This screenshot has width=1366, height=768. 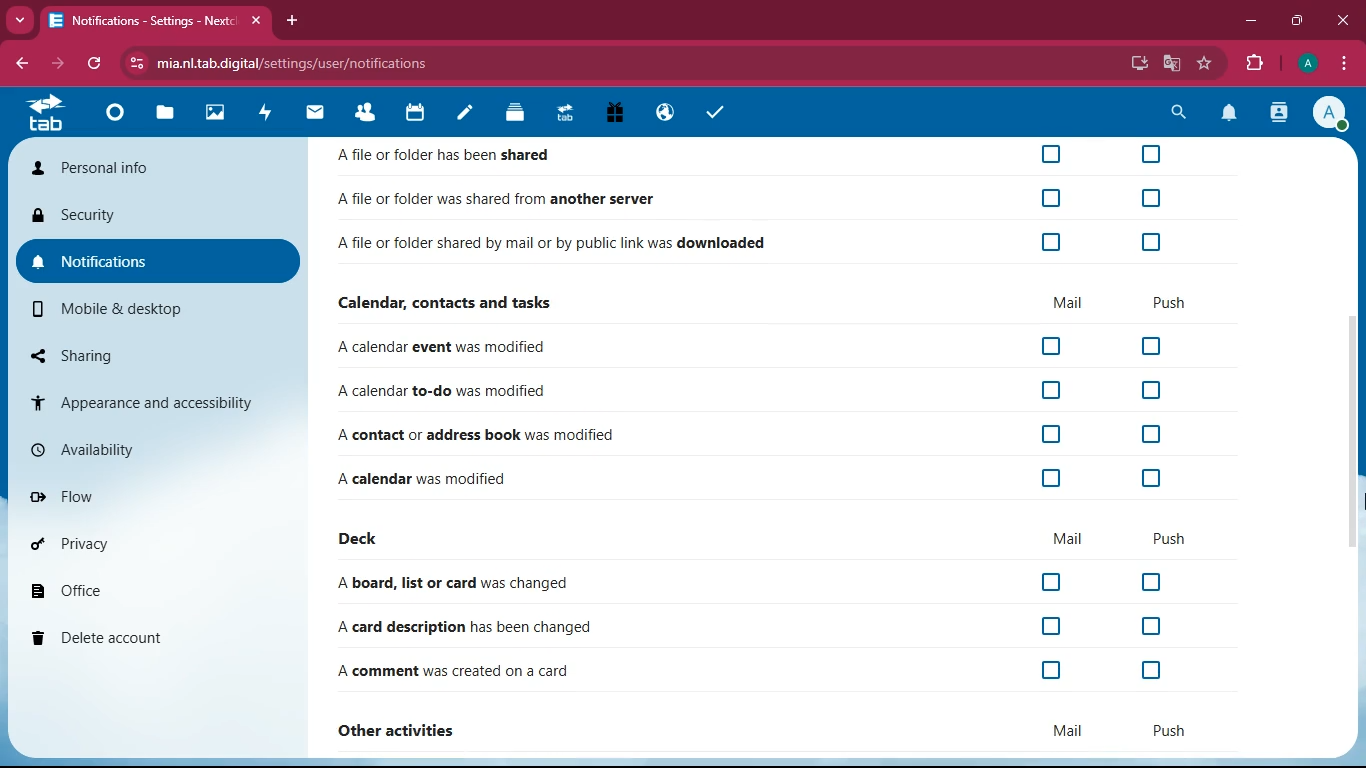 I want to click on Vertical Scrollbar, so click(x=1352, y=433).